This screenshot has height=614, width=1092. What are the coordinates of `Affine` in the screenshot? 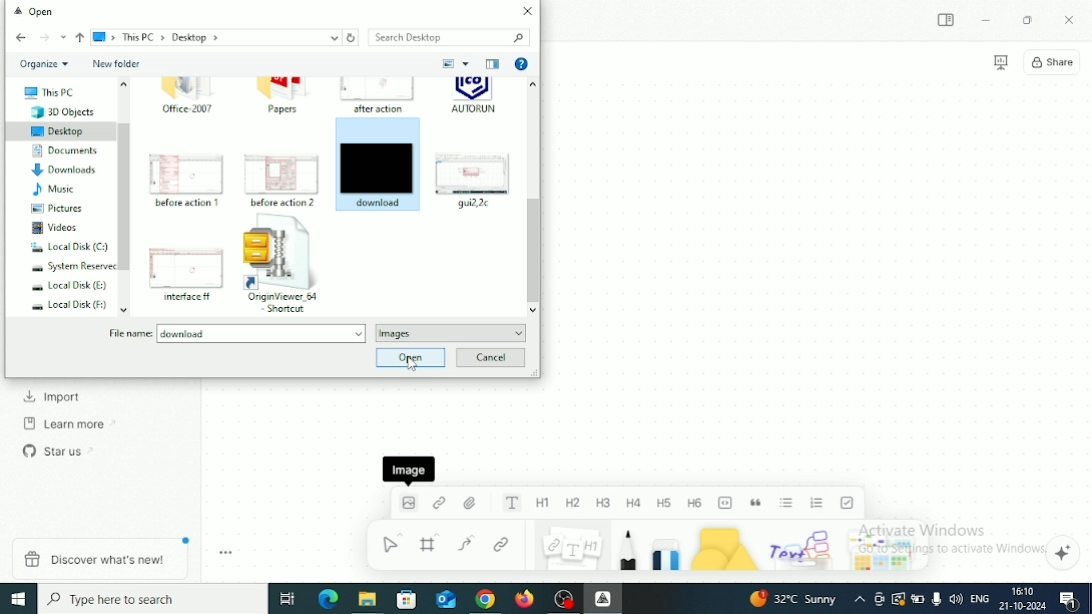 It's located at (603, 598).